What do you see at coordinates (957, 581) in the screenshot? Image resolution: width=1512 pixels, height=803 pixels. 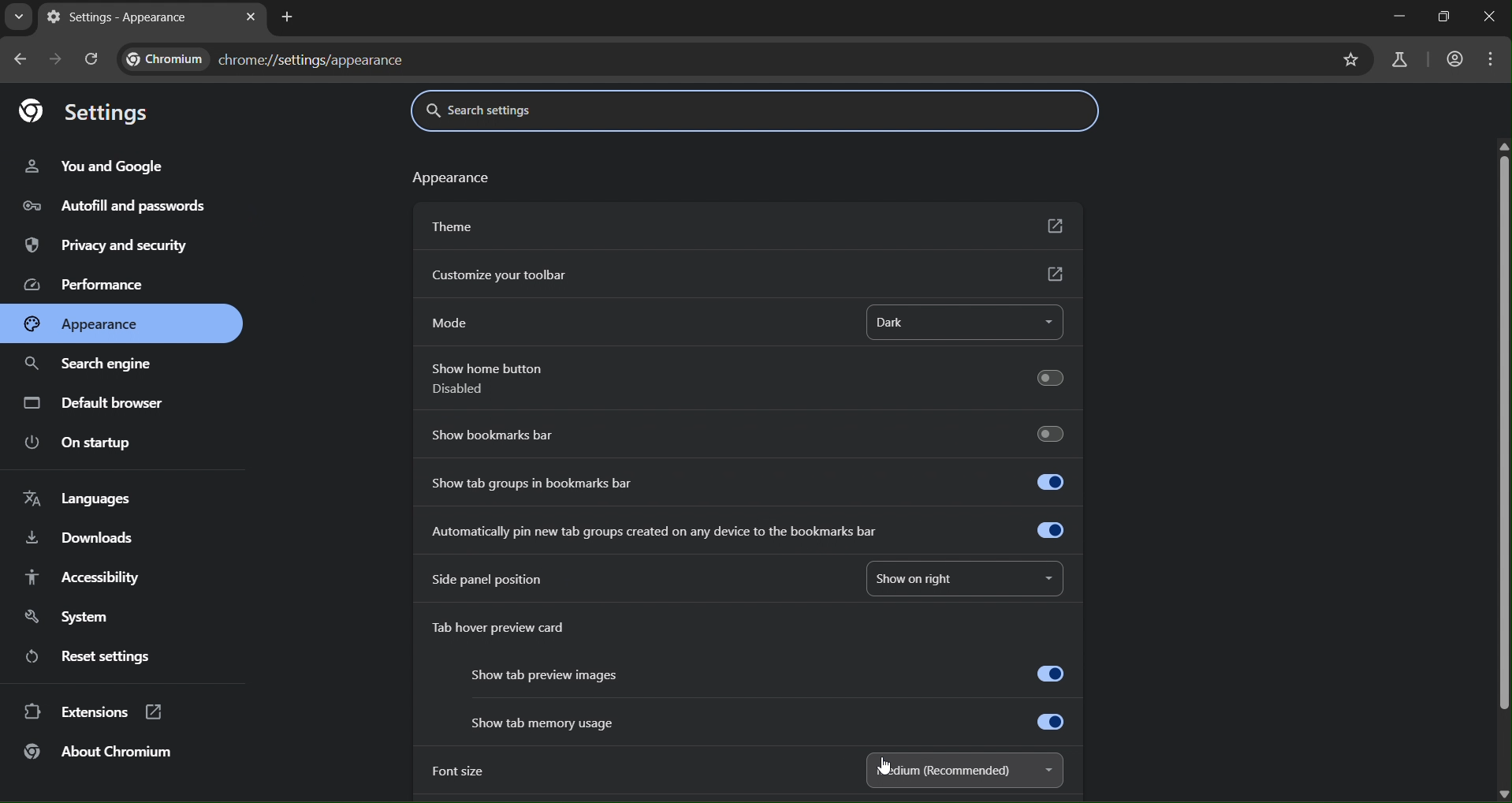 I see `show on right` at bounding box center [957, 581].